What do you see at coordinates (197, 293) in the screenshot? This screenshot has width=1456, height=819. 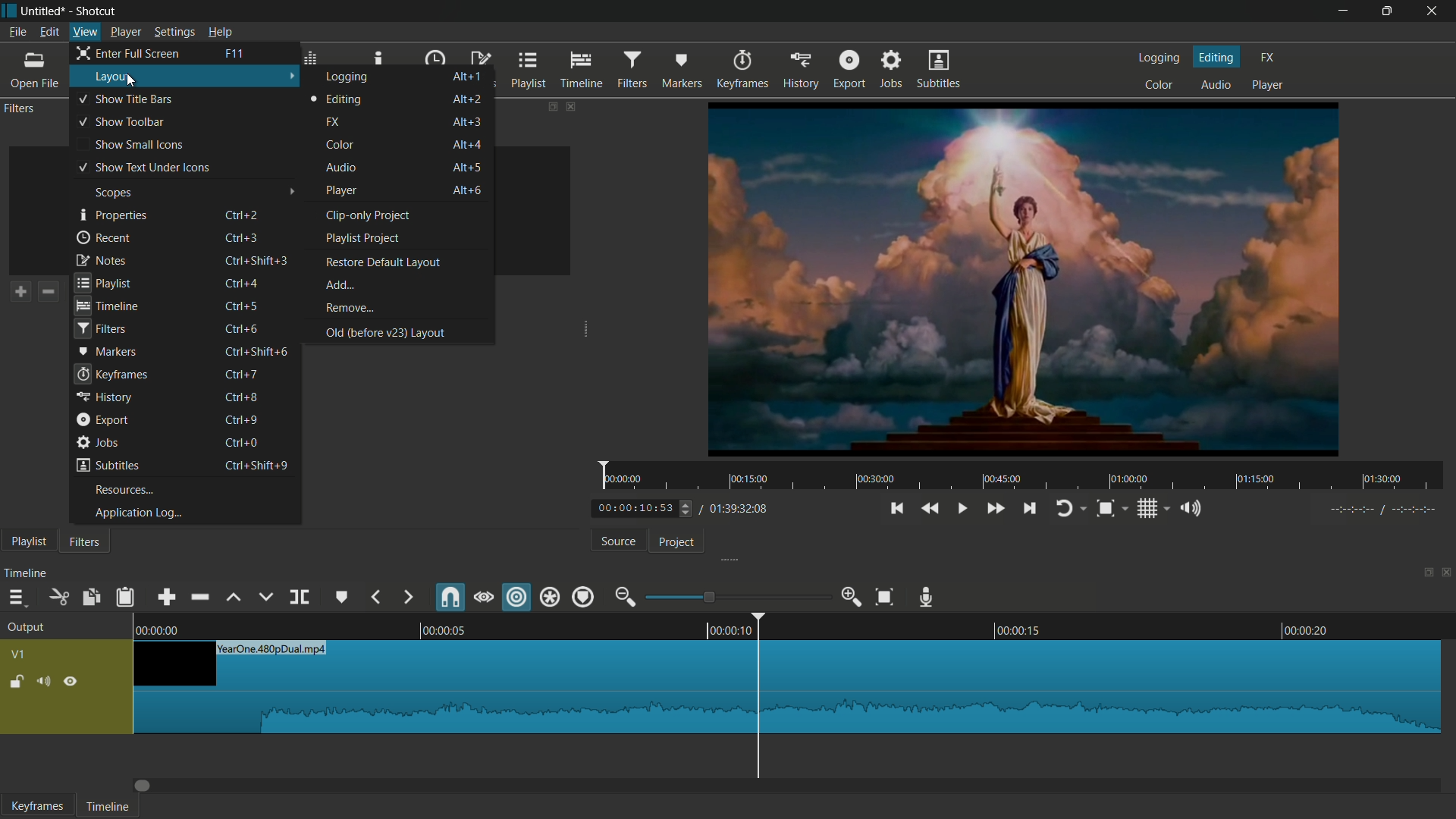 I see `move filter down` at bounding box center [197, 293].